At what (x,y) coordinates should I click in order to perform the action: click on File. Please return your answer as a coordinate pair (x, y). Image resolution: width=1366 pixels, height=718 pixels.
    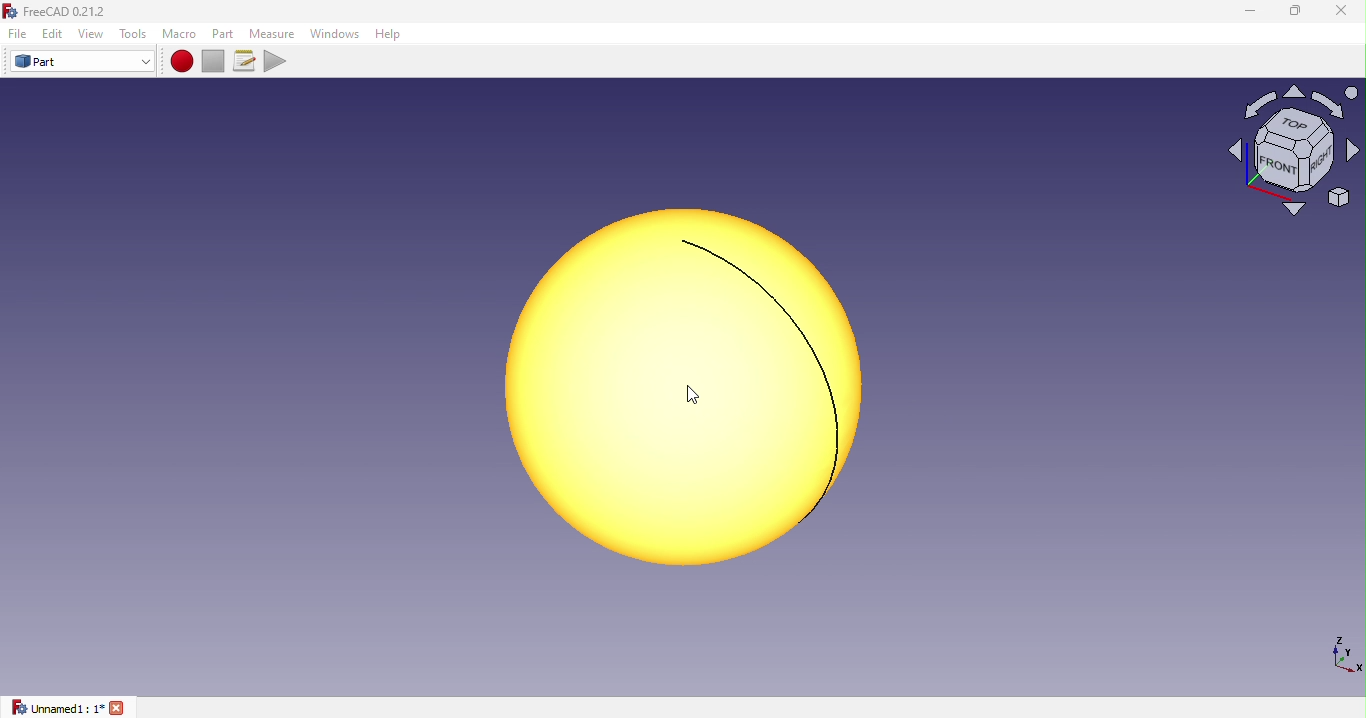
    Looking at the image, I should click on (14, 34).